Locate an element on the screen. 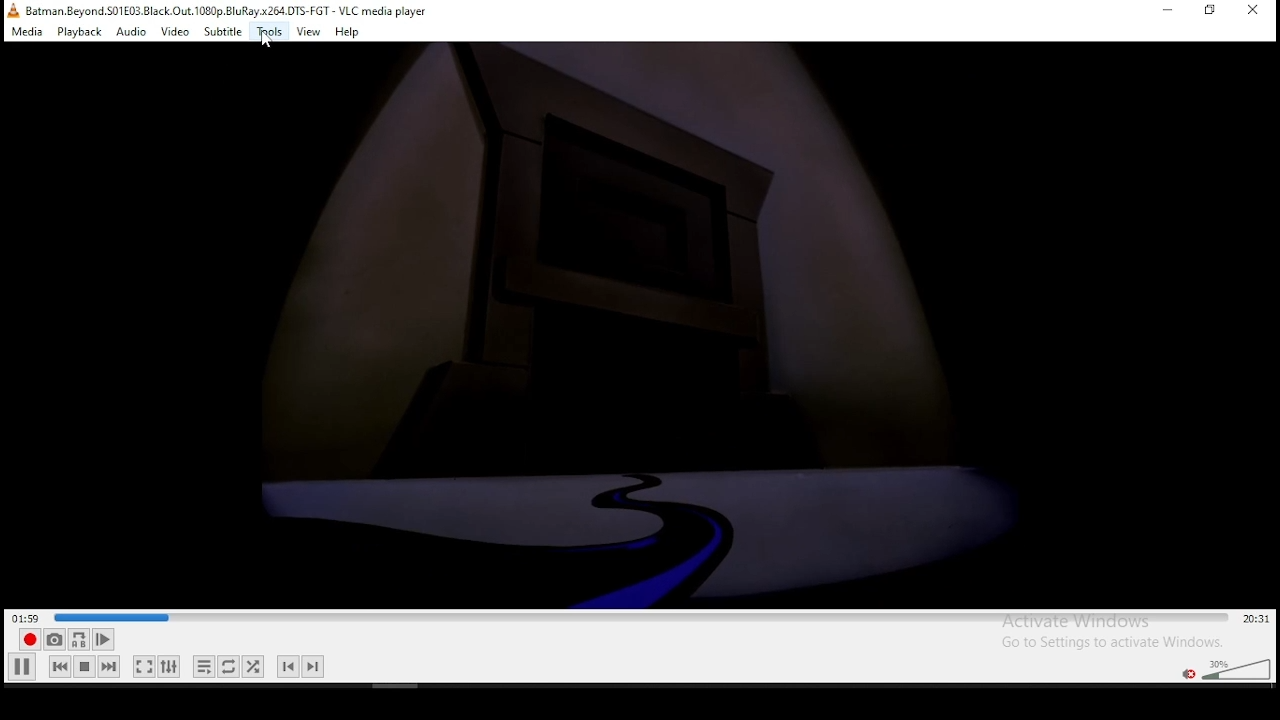  show extended settings is located at coordinates (168, 667).